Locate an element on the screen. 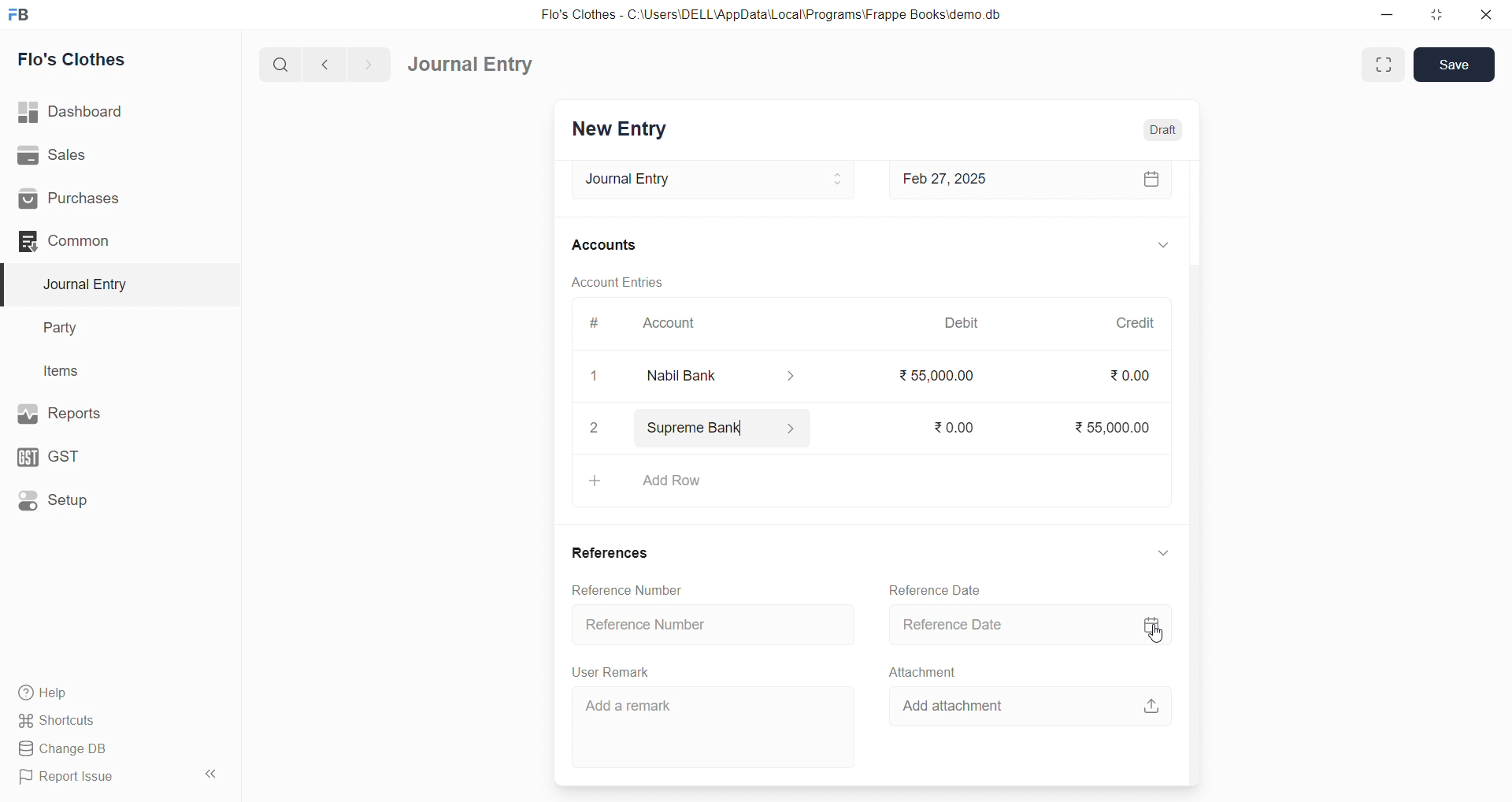 The width and height of the screenshot is (1512, 802). # is located at coordinates (596, 326).